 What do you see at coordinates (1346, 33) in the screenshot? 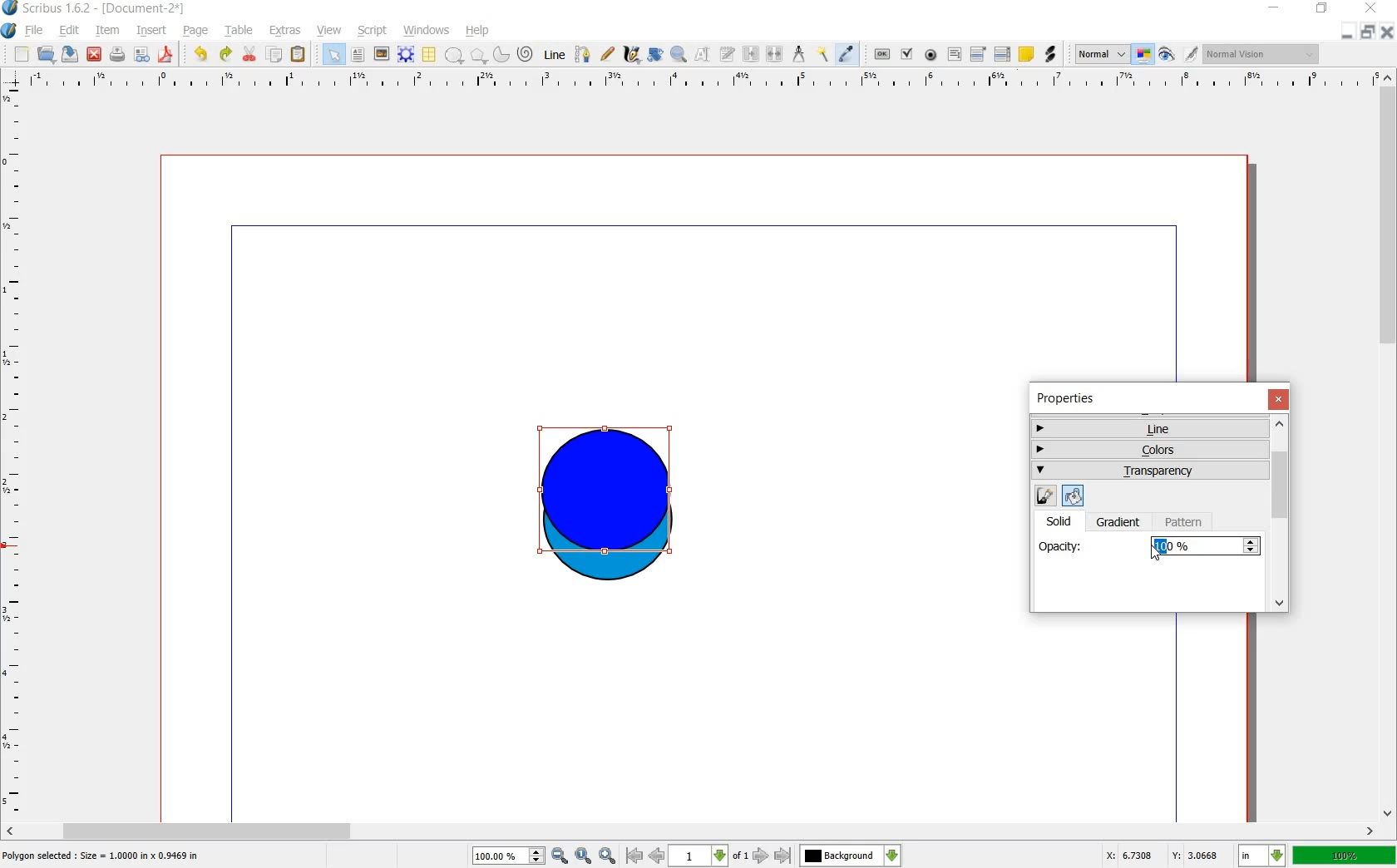
I see `minimize` at bounding box center [1346, 33].